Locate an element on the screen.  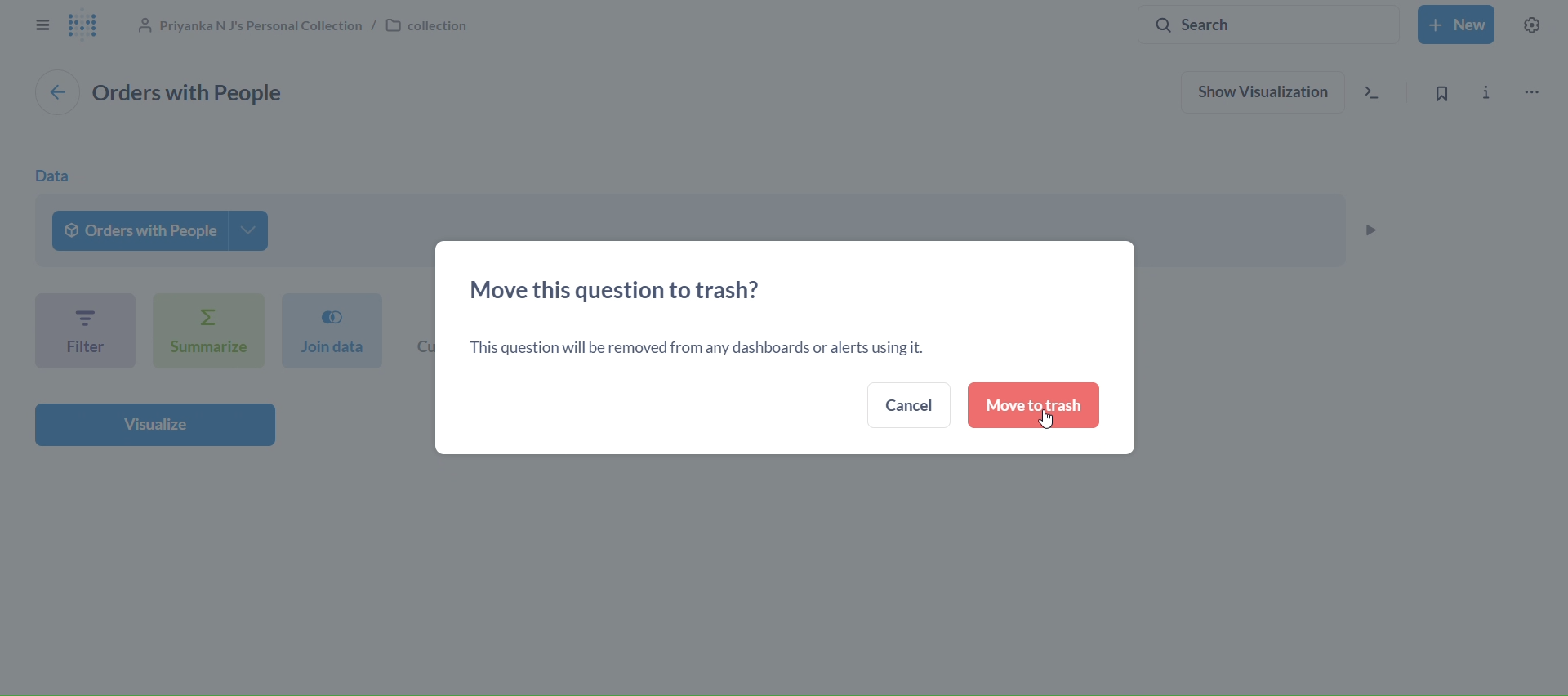
move to trash is located at coordinates (1032, 406).